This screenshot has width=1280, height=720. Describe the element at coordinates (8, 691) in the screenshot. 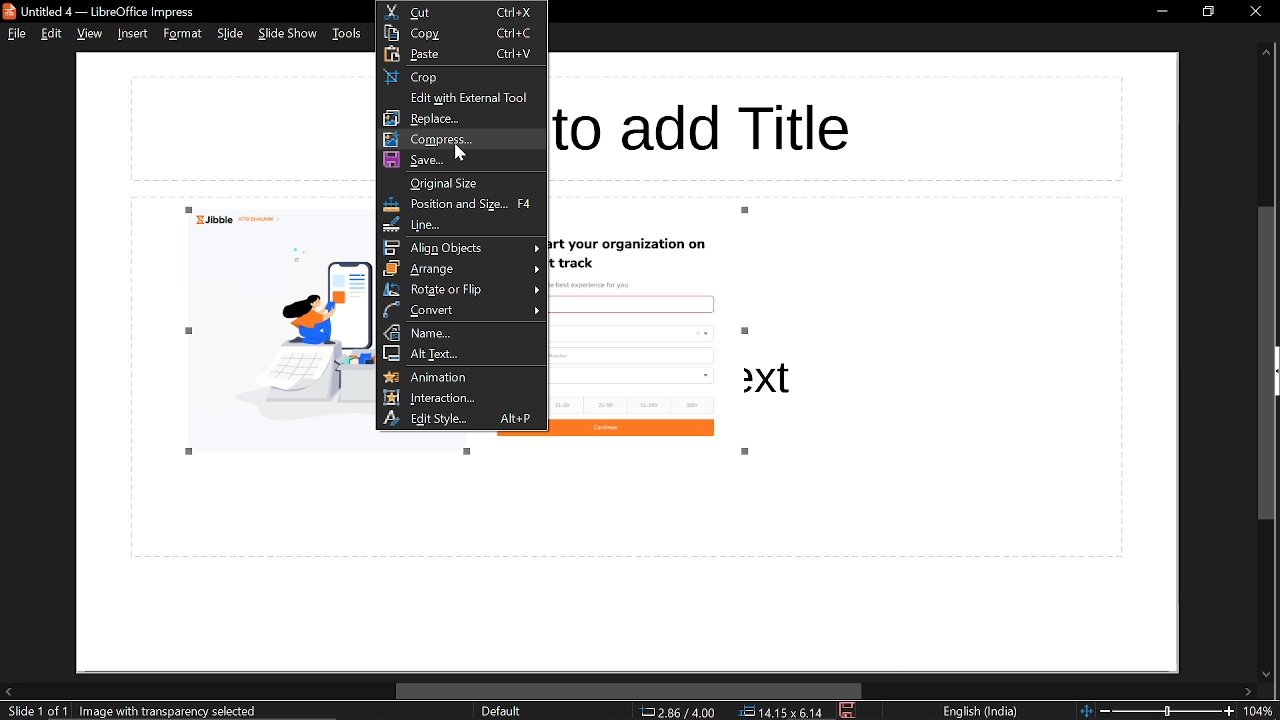

I see `move left` at that location.